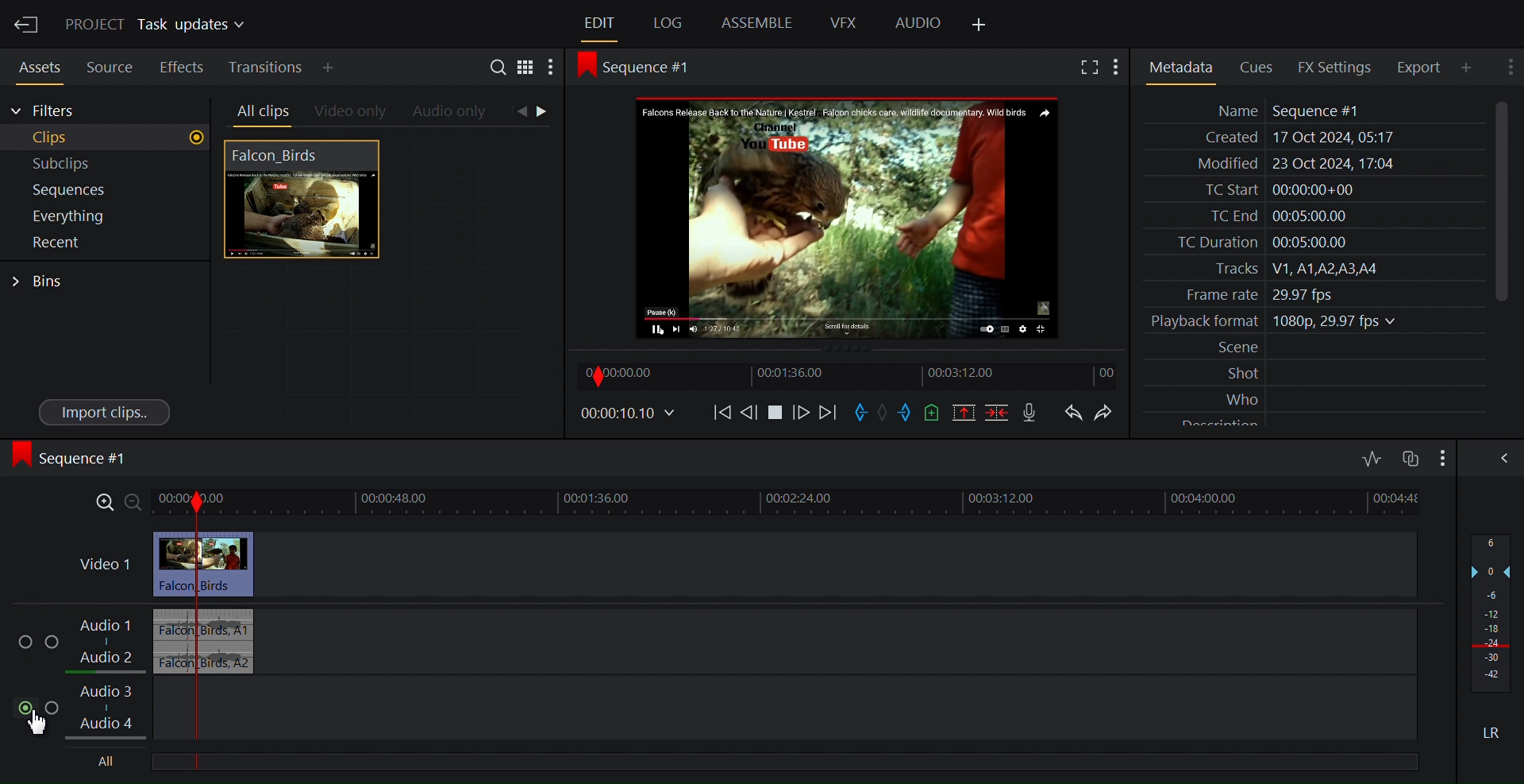 This screenshot has width=1524, height=784. I want to click on Who, so click(1315, 397).